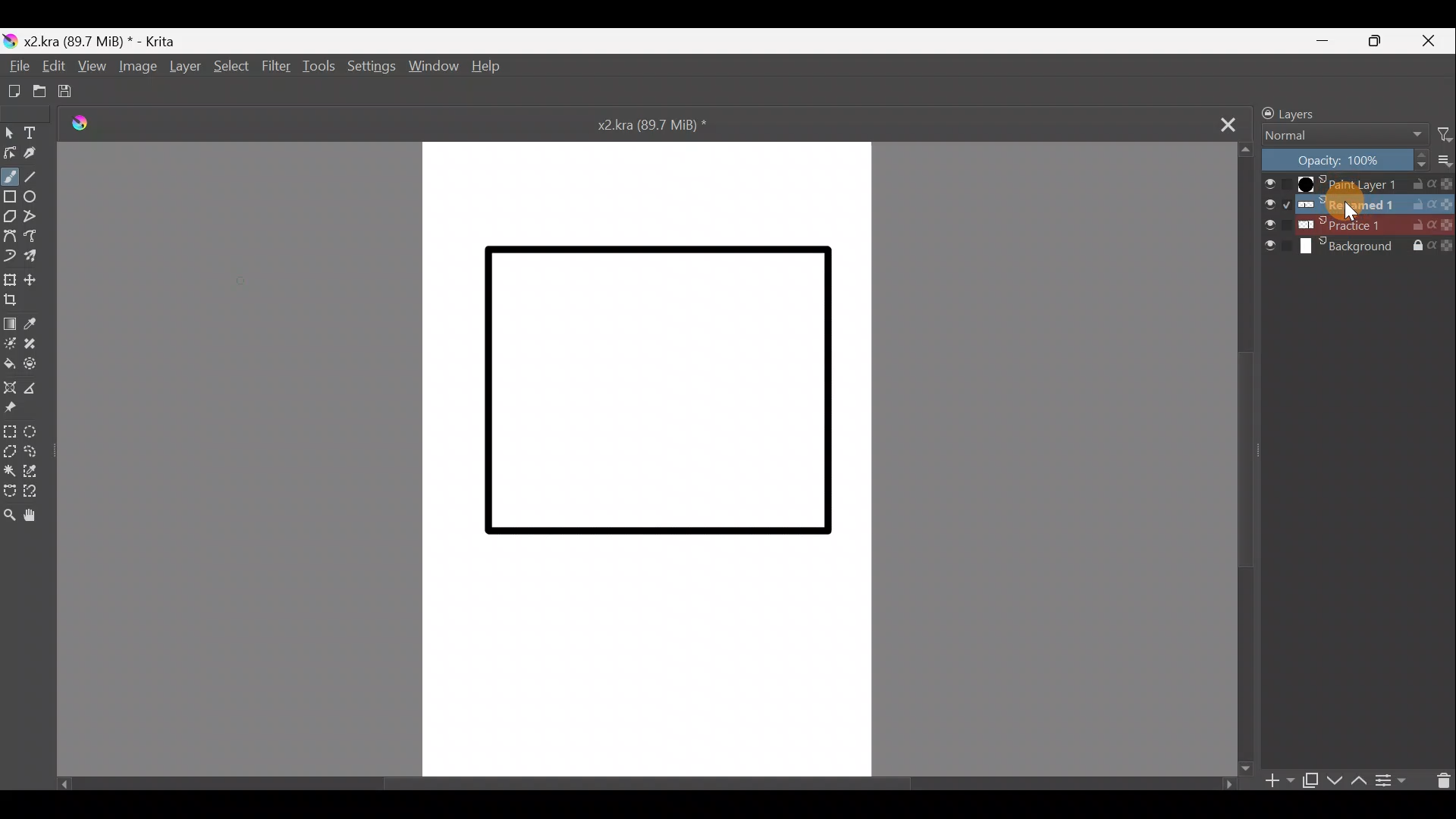 The image size is (1456, 819). What do you see at coordinates (36, 431) in the screenshot?
I see `Elliptical selection tool` at bounding box center [36, 431].